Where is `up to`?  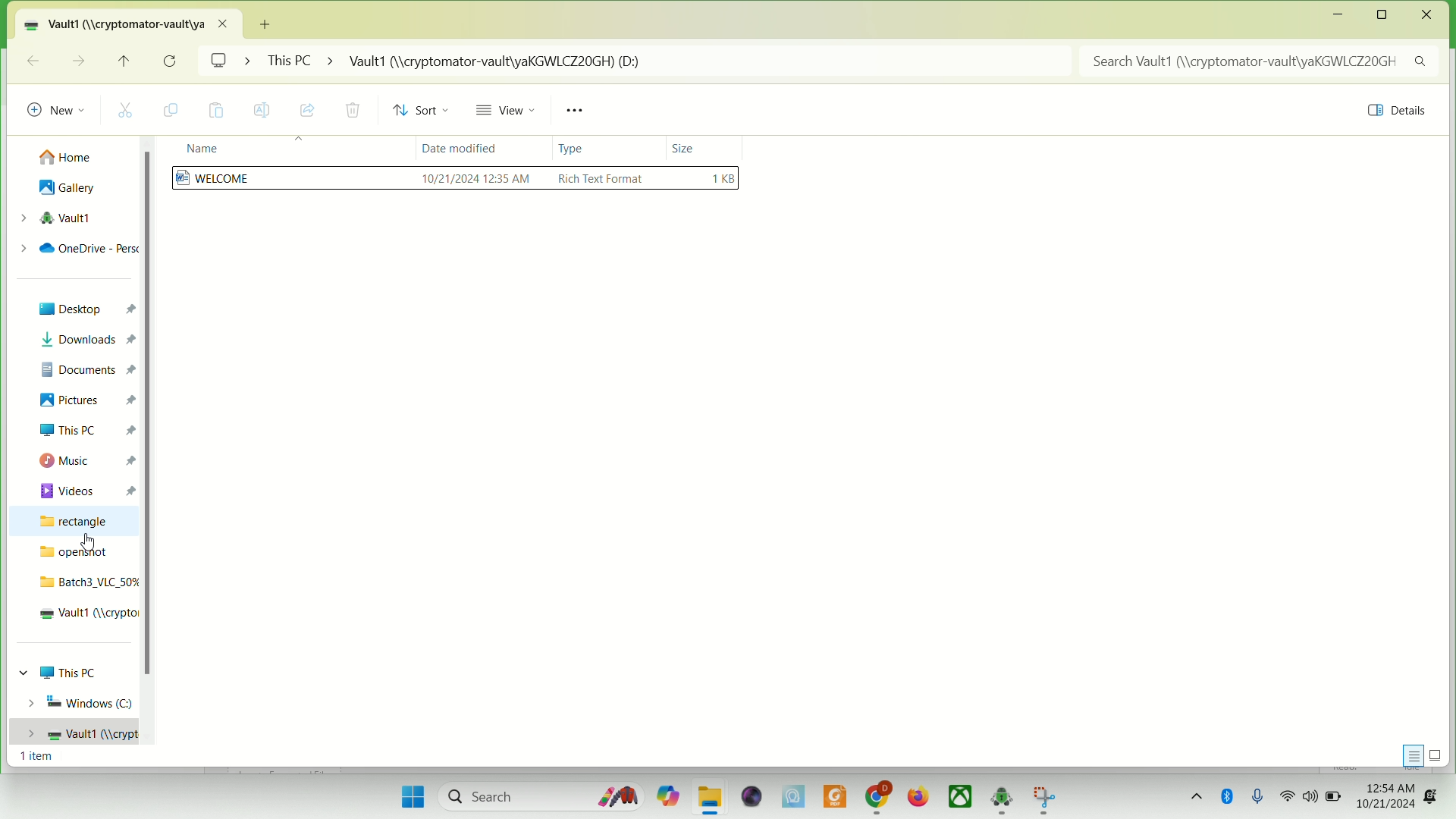
up to is located at coordinates (128, 64).